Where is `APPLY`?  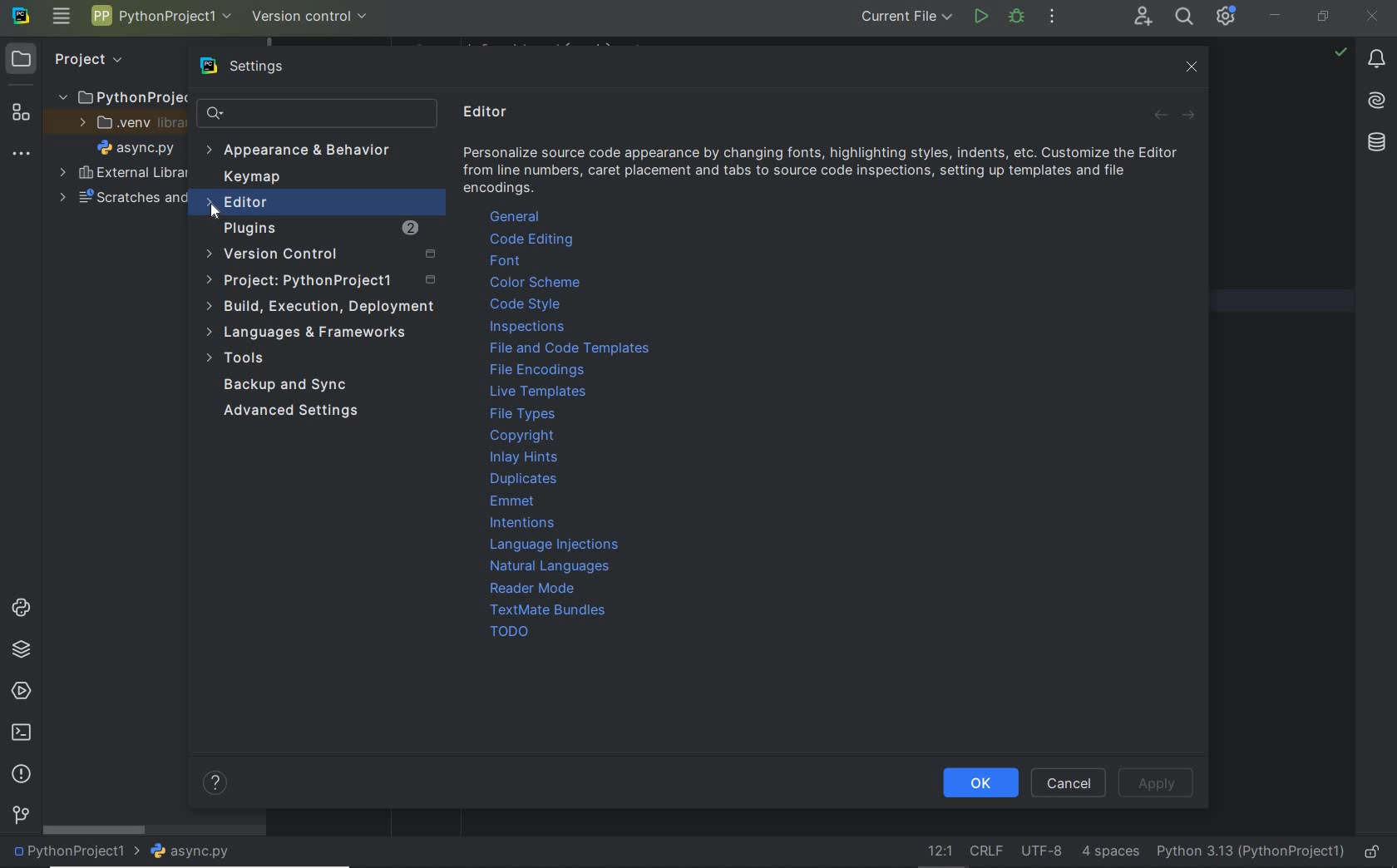 APPLY is located at coordinates (1159, 783).